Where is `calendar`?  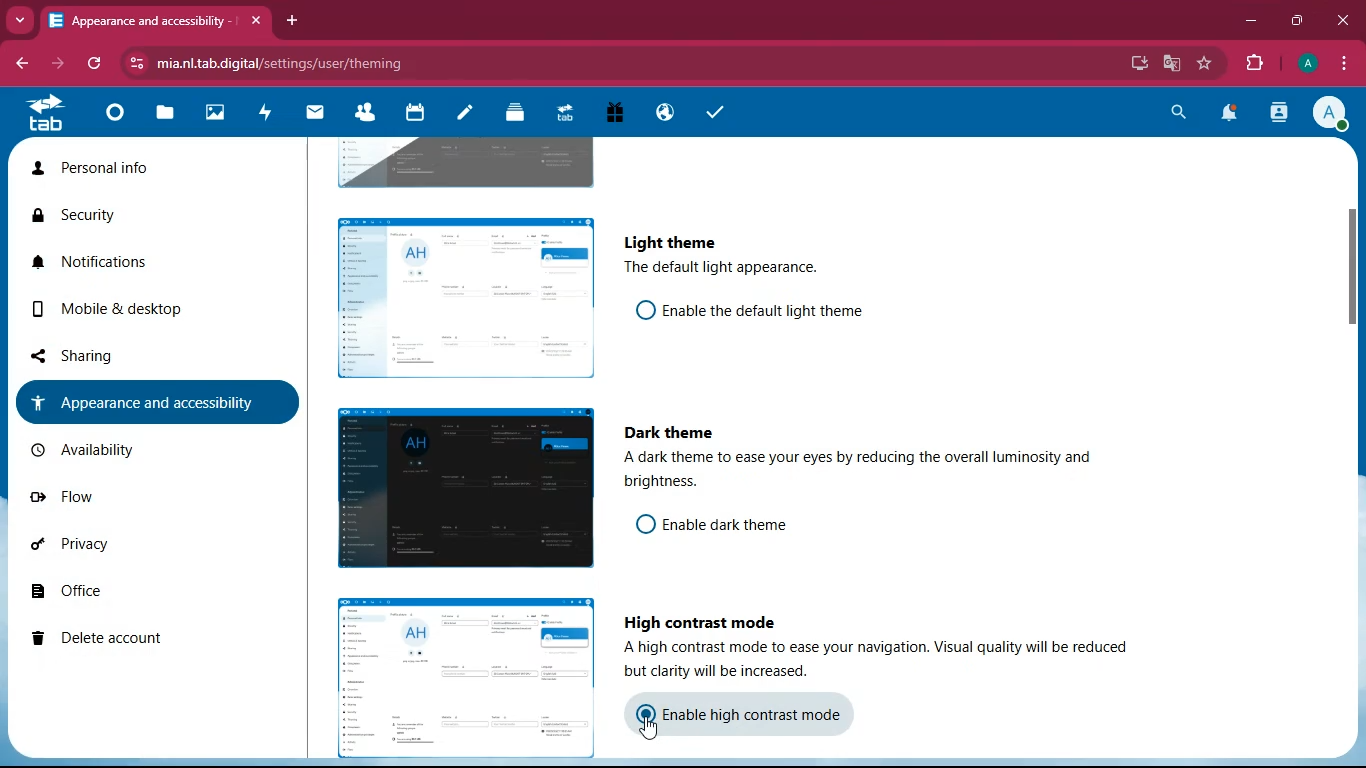
calendar is located at coordinates (412, 115).